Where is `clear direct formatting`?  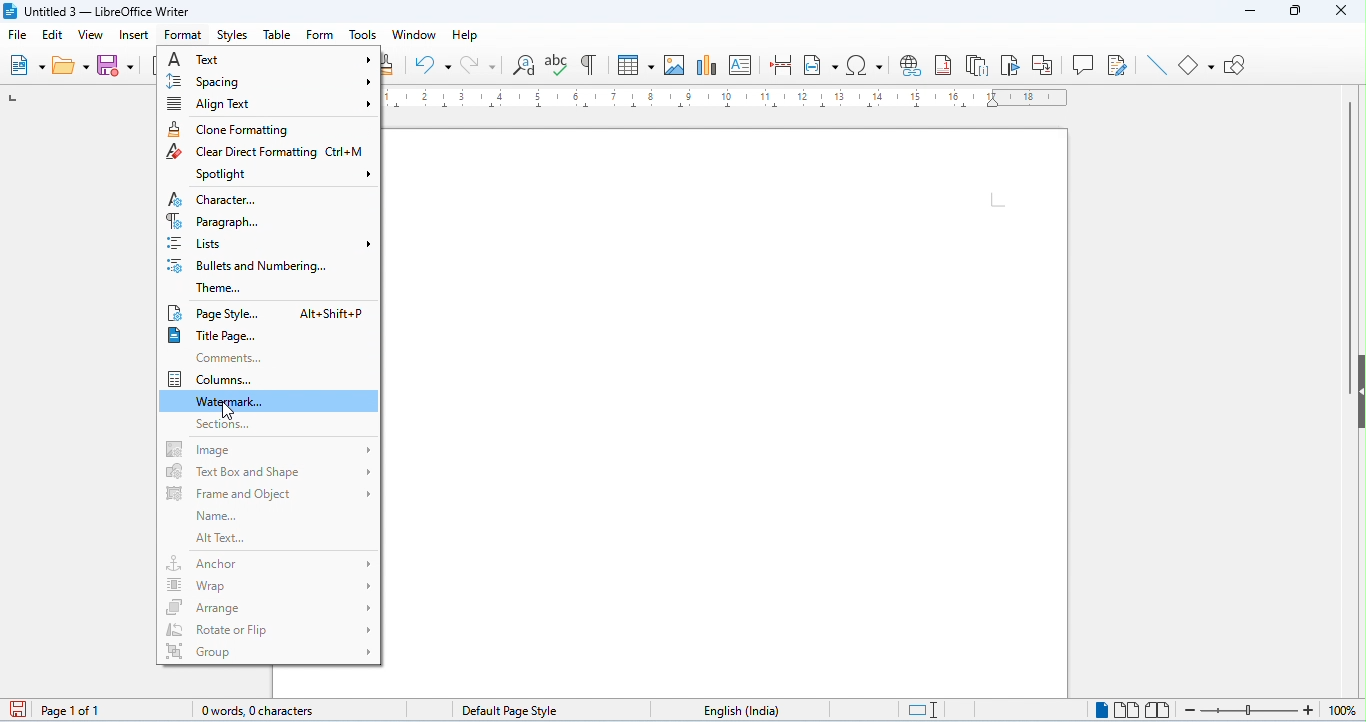 clear direct formatting is located at coordinates (269, 152).